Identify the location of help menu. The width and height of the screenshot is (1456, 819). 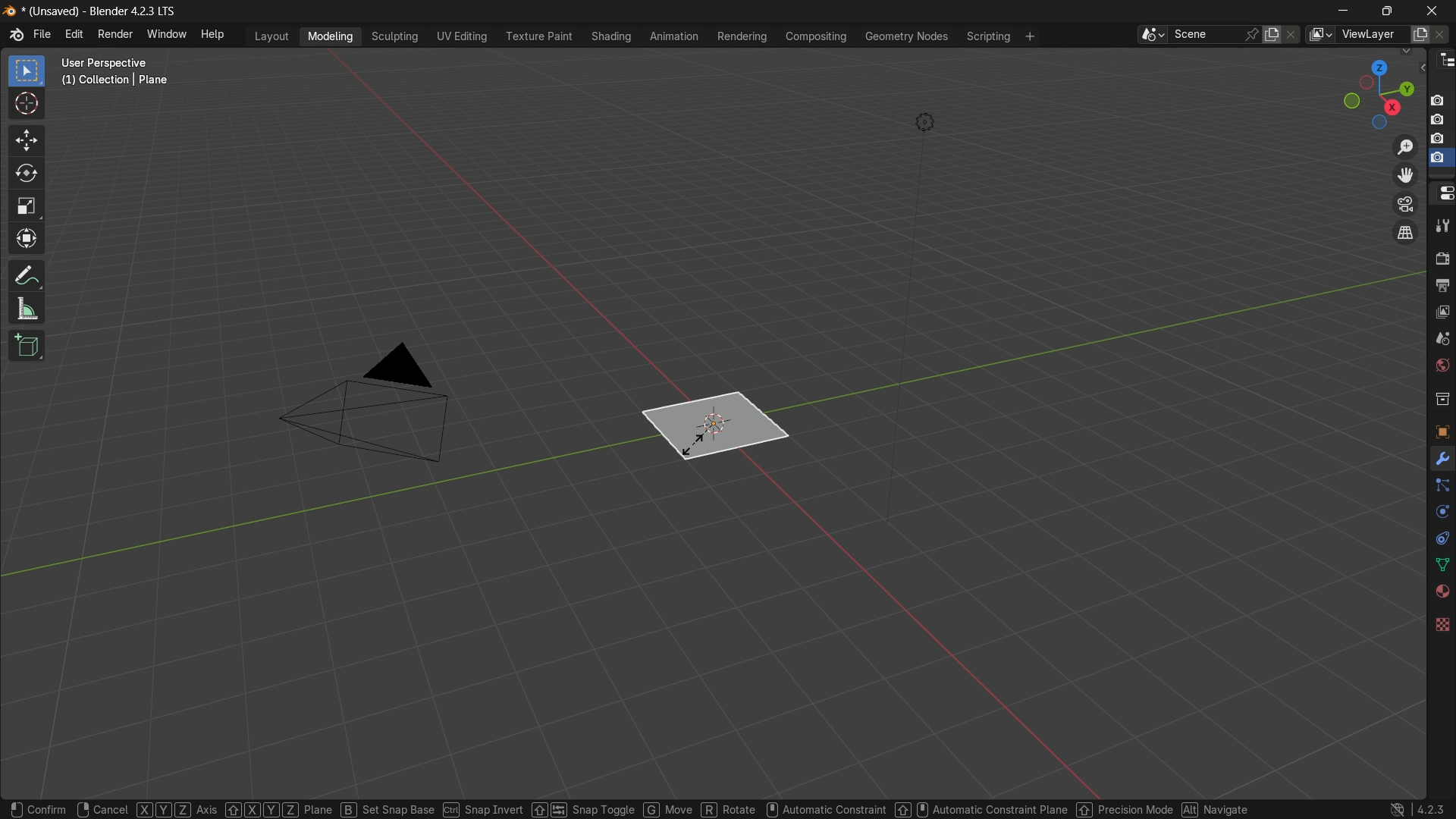
(214, 34).